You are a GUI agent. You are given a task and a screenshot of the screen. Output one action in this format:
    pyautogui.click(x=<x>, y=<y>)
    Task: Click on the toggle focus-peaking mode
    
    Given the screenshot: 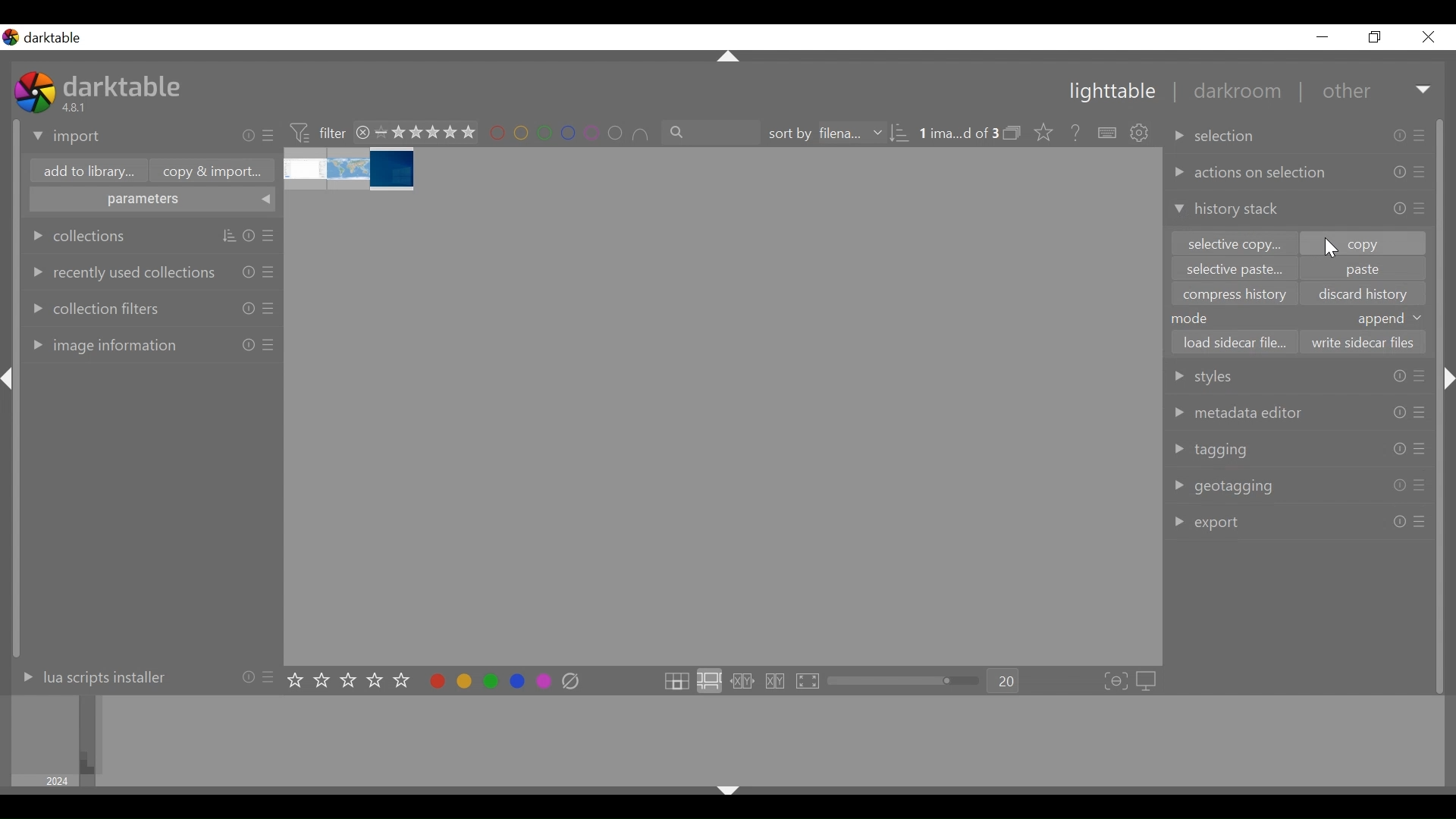 What is the action you would take?
    pyautogui.click(x=1116, y=682)
    